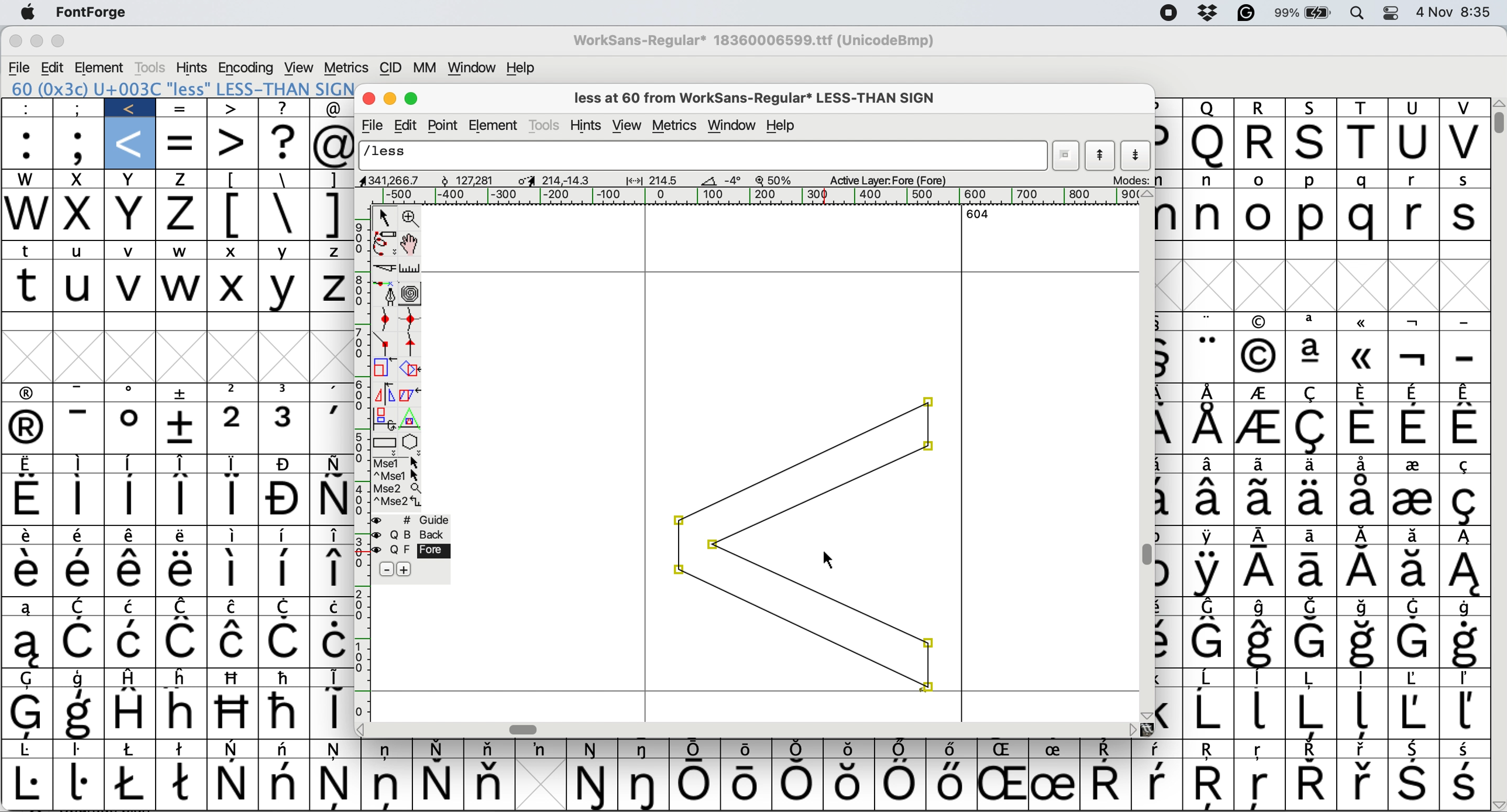 This screenshot has width=1507, height=812. I want to click on Symbol, so click(1260, 643).